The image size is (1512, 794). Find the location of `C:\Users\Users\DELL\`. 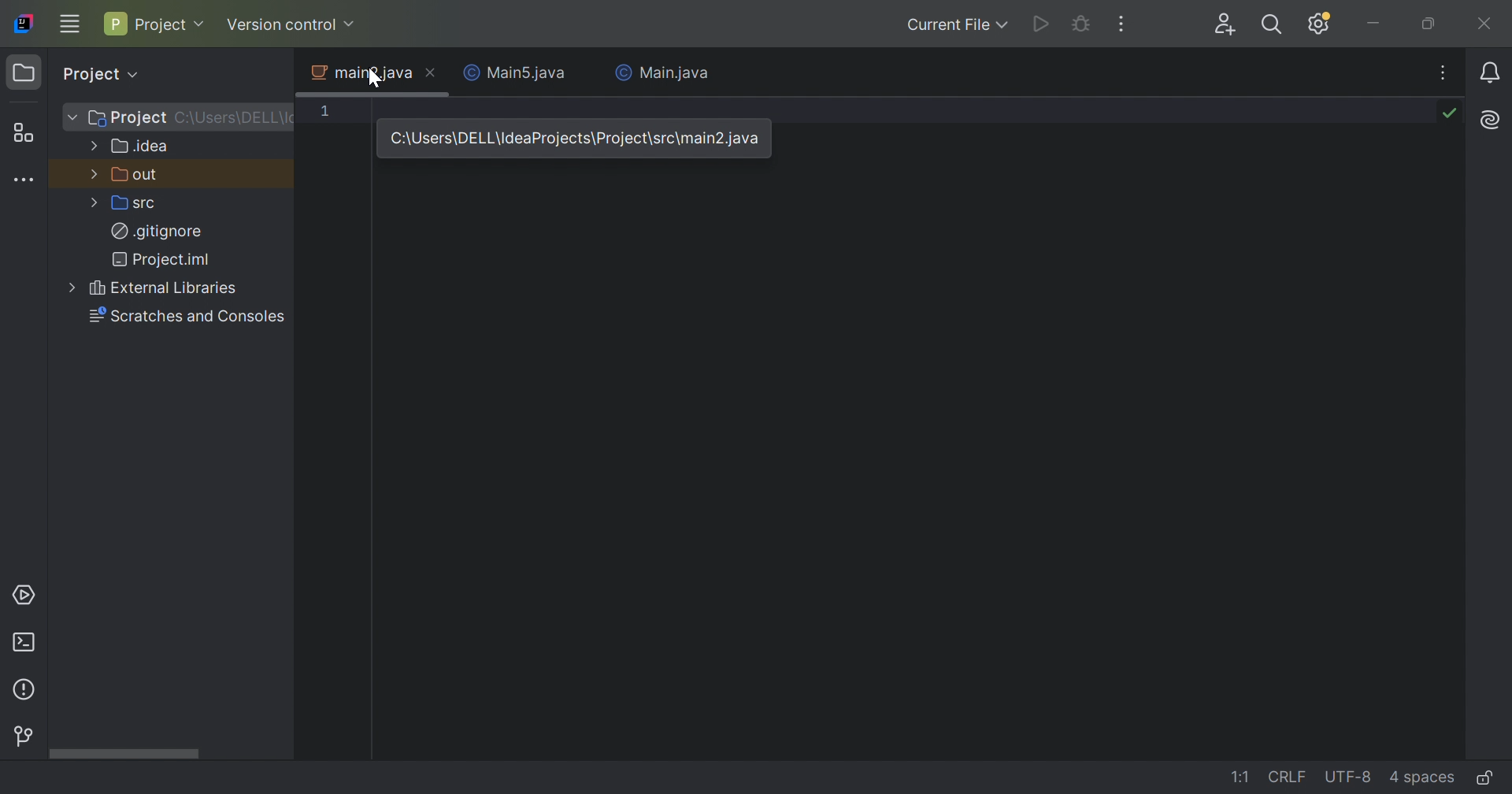

C:\Users\Users\DELL\ is located at coordinates (232, 118).